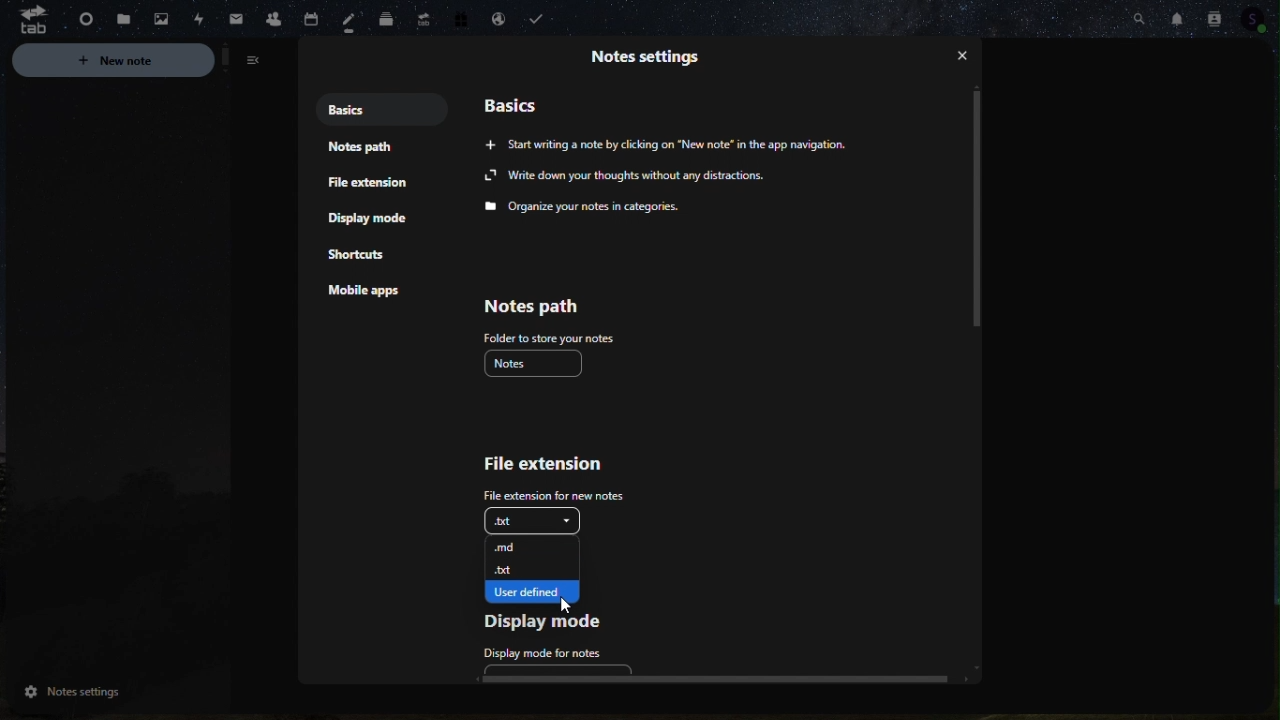 This screenshot has width=1280, height=720. Describe the element at coordinates (25, 21) in the screenshot. I see `tab` at that location.